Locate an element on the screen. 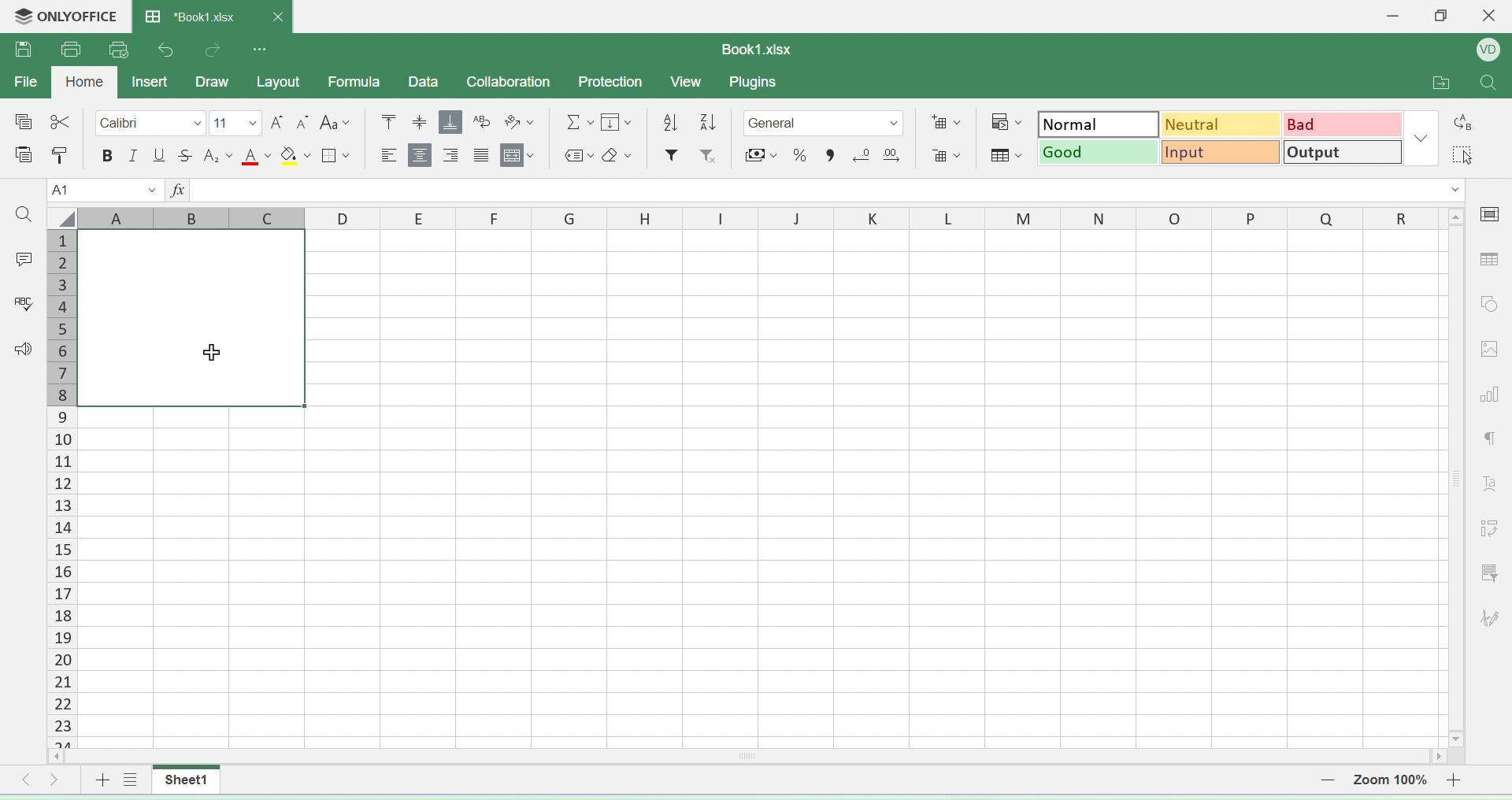  wrap text is located at coordinates (482, 121).